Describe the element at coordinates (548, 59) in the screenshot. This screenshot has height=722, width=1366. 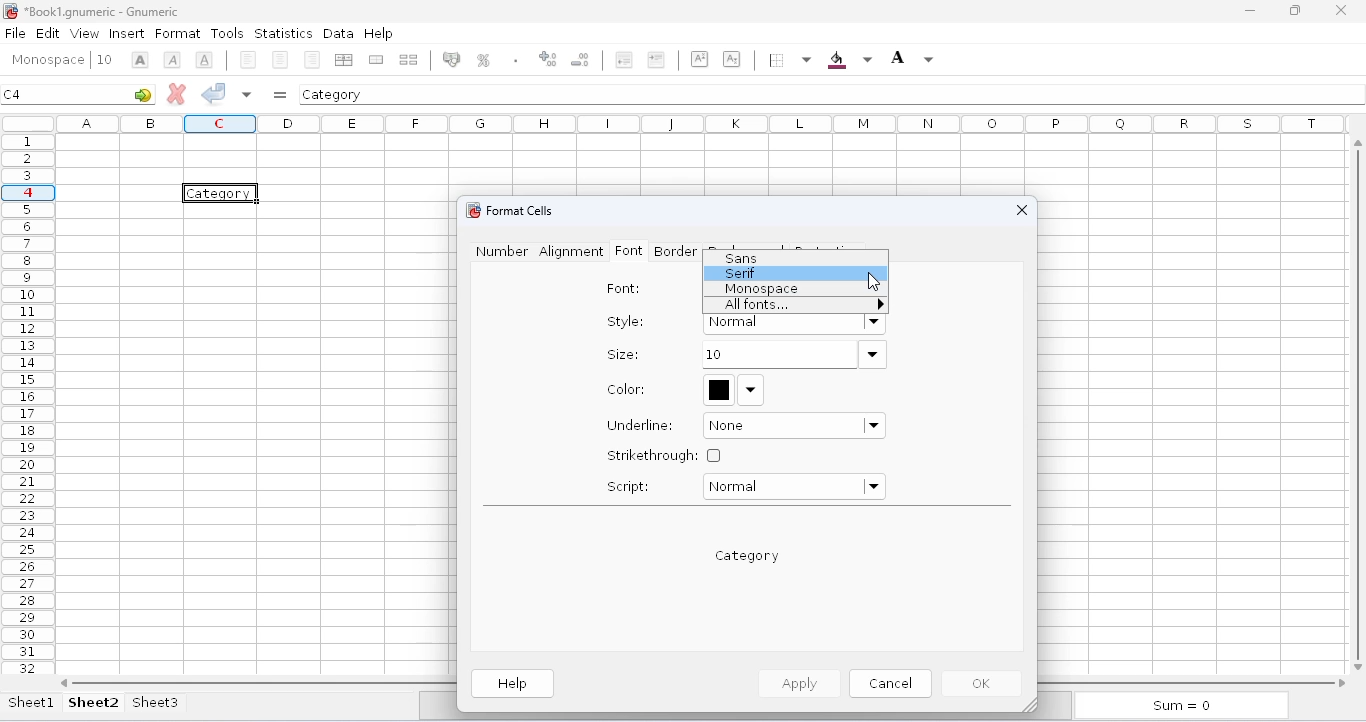
I see `increase the number of decimals displayed` at that location.